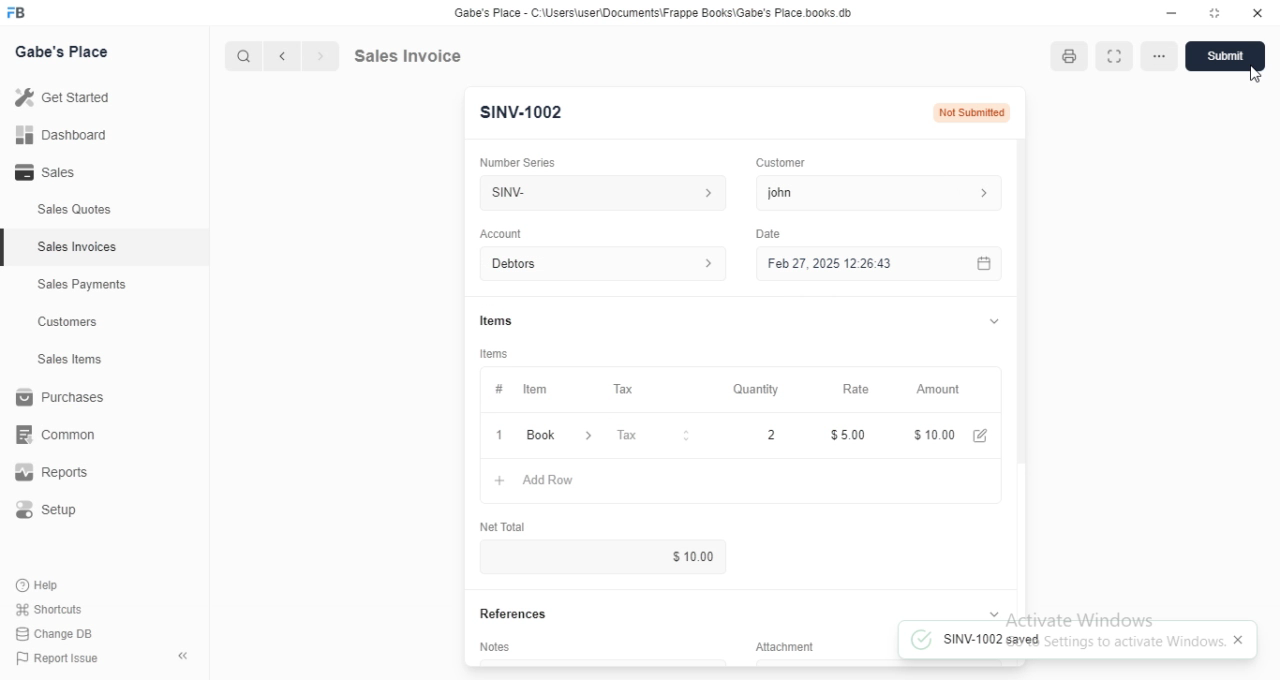 This screenshot has height=680, width=1280. I want to click on 1, so click(501, 434).